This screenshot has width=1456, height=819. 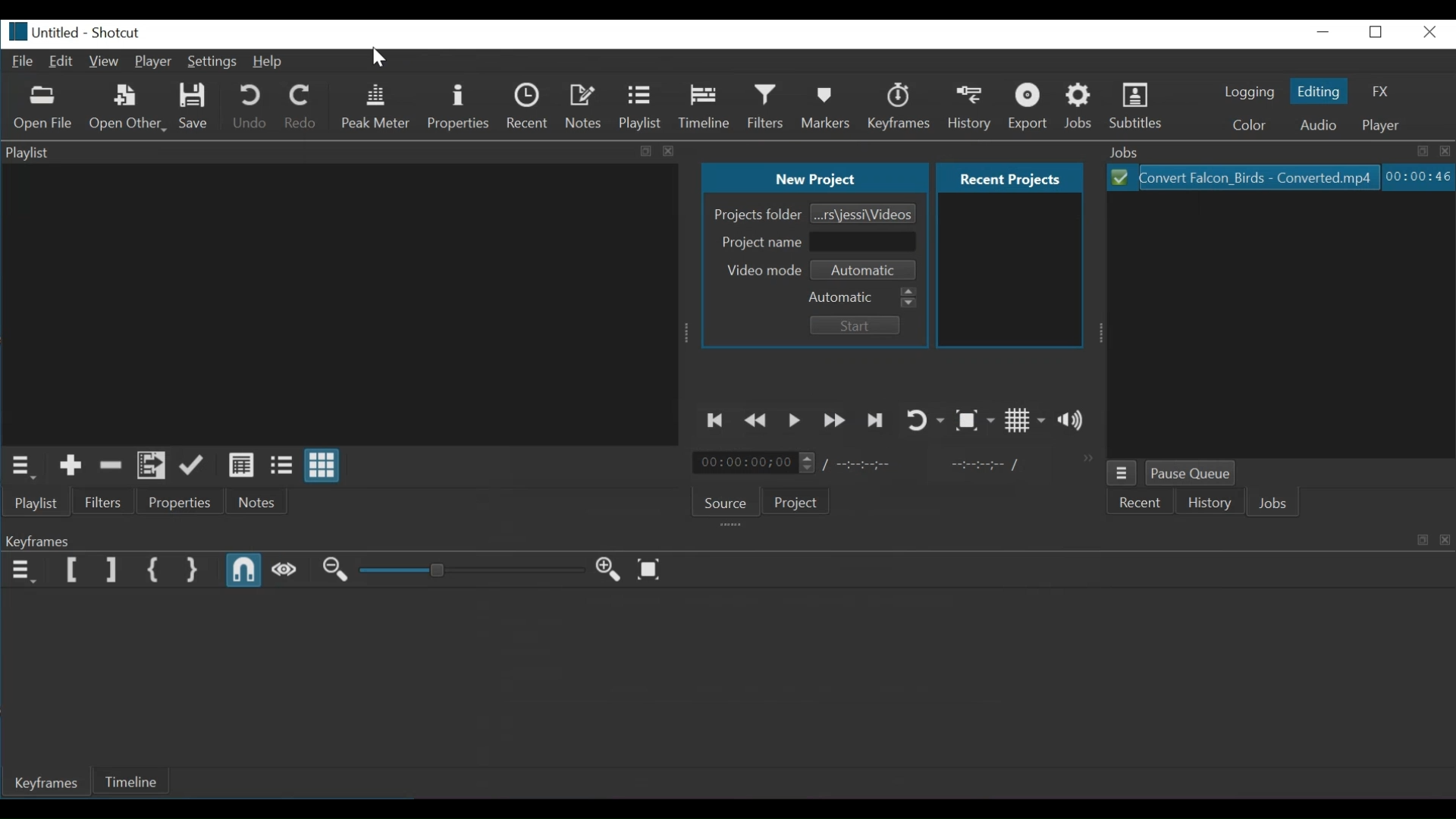 I want to click on Play quickly backward, so click(x=758, y=420).